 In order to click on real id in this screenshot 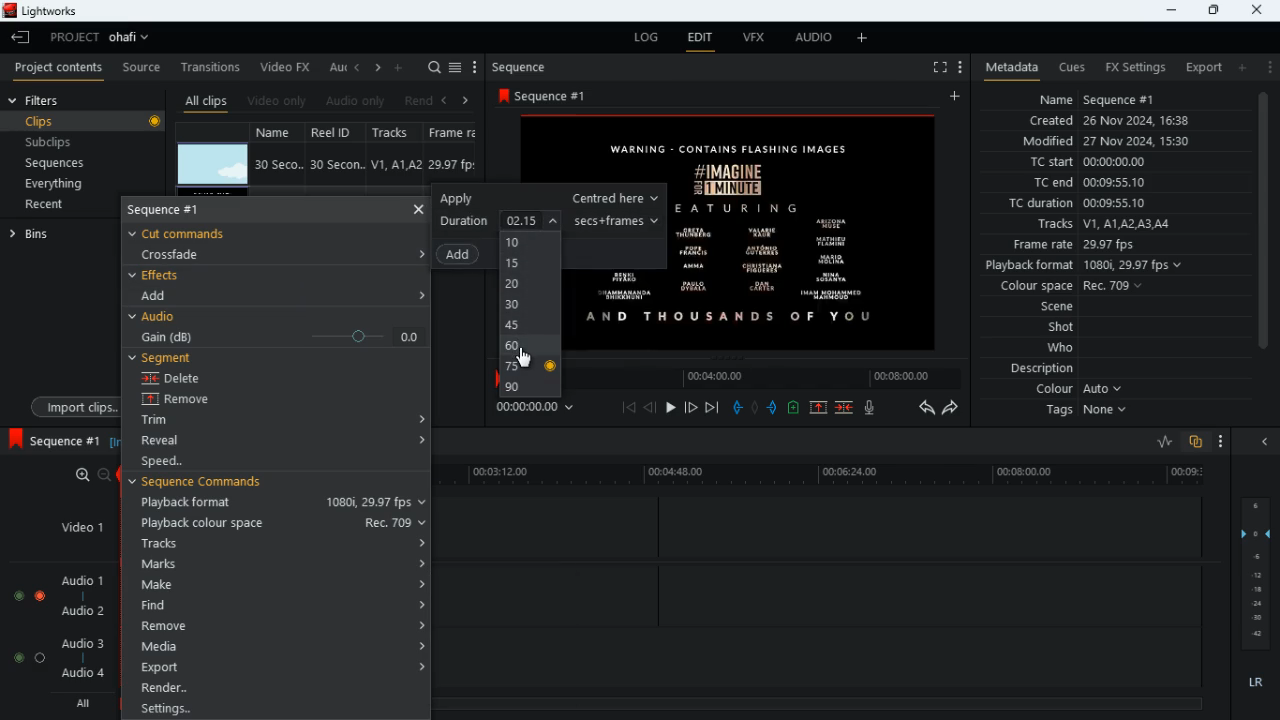, I will do `click(338, 132)`.